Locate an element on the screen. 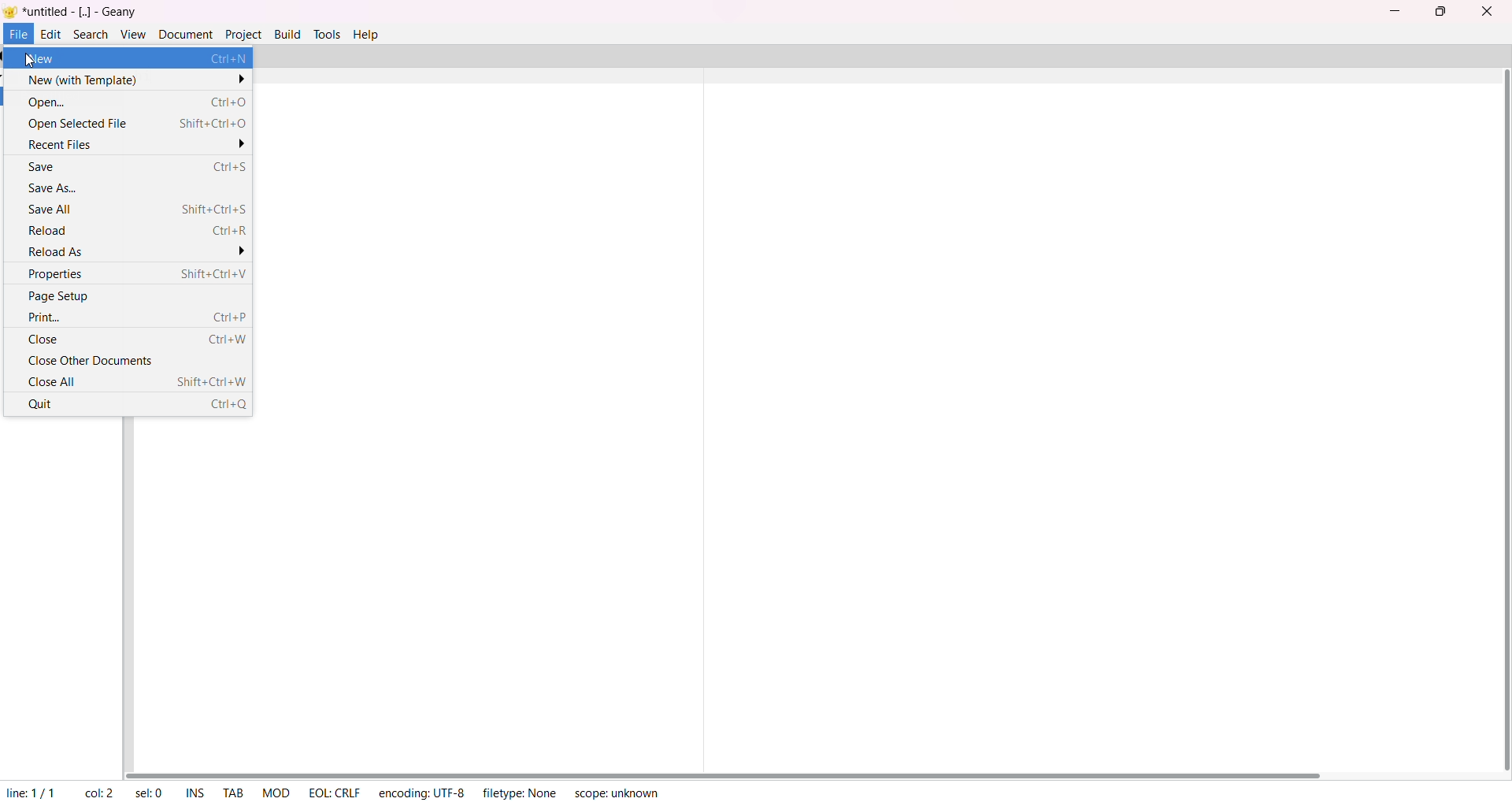  edit is located at coordinates (51, 33).